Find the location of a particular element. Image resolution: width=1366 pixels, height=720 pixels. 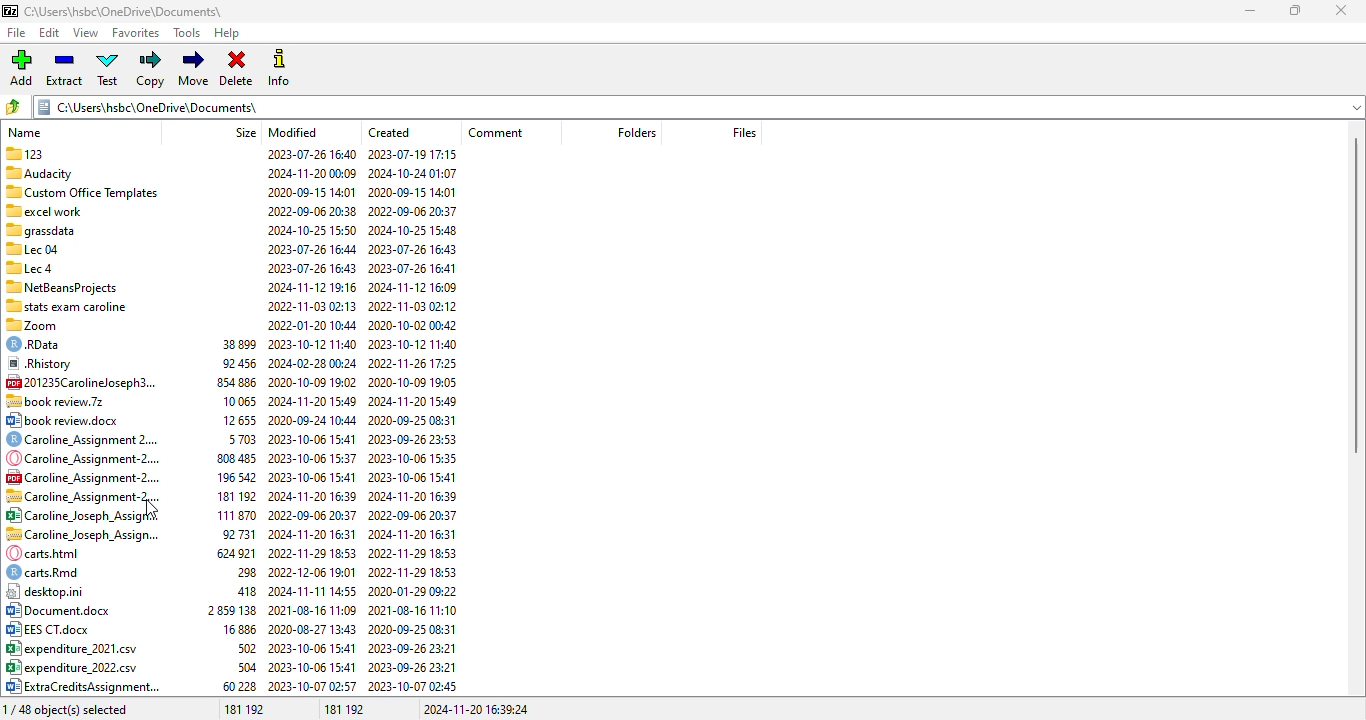

 EES CT.docx 16886 2020-08-27 13:43 2020-09-25 08:31 is located at coordinates (232, 630).